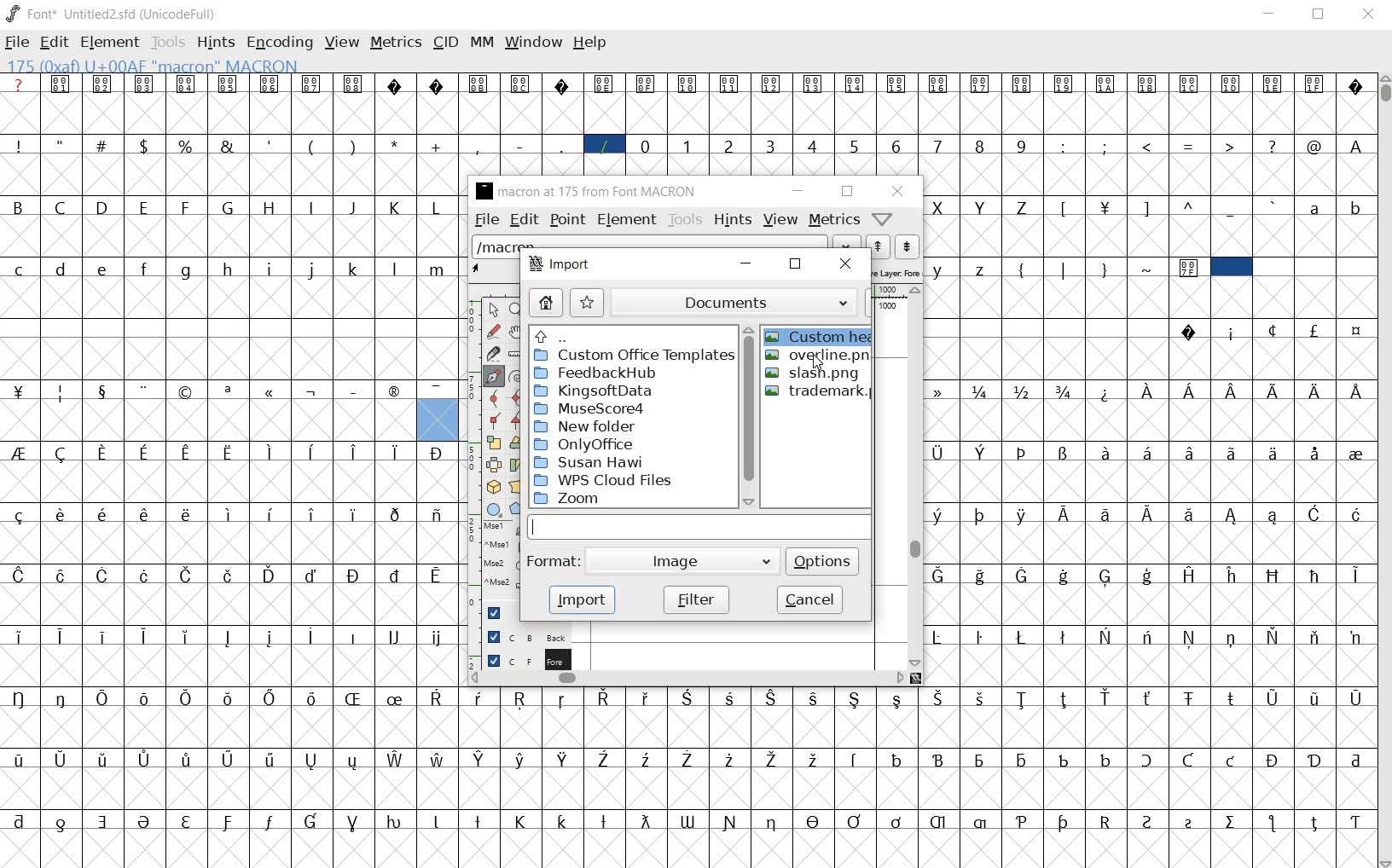 The image size is (1392, 868). I want to click on Symbol, so click(690, 697).